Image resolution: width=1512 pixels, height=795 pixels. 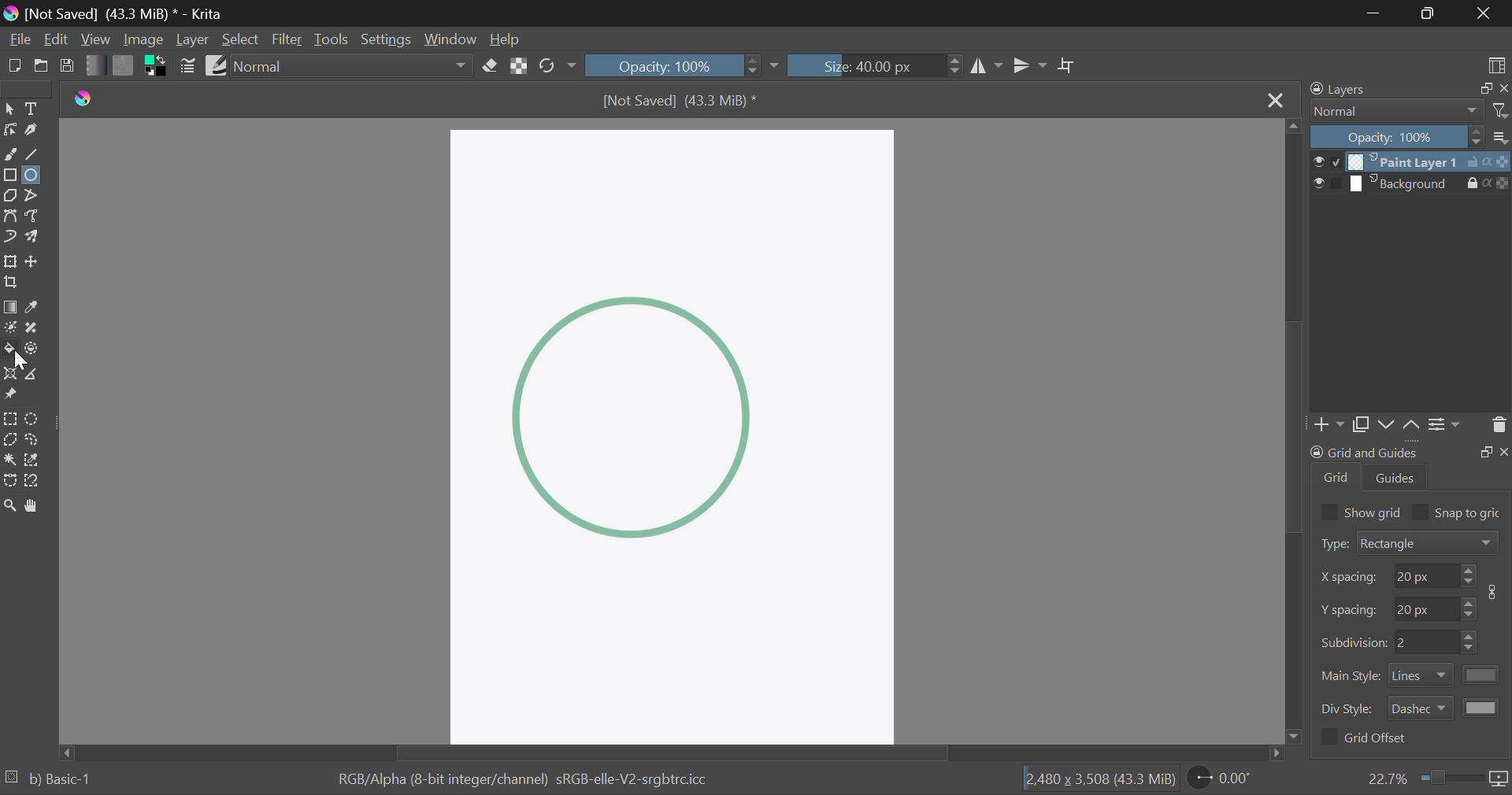 I want to click on Horizontal Mirror Flip, so click(x=1031, y=65).